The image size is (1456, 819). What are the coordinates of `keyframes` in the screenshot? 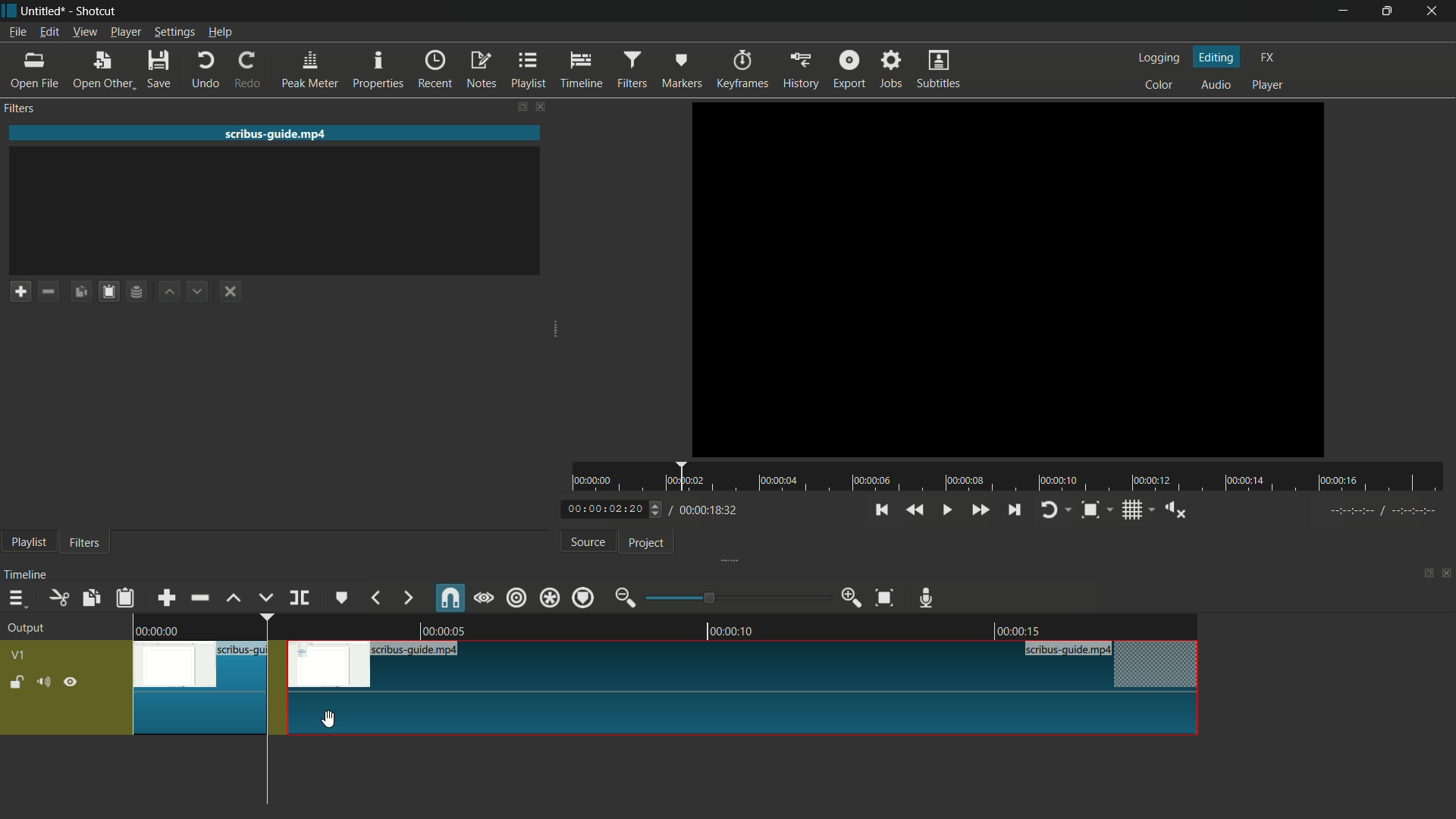 It's located at (745, 71).